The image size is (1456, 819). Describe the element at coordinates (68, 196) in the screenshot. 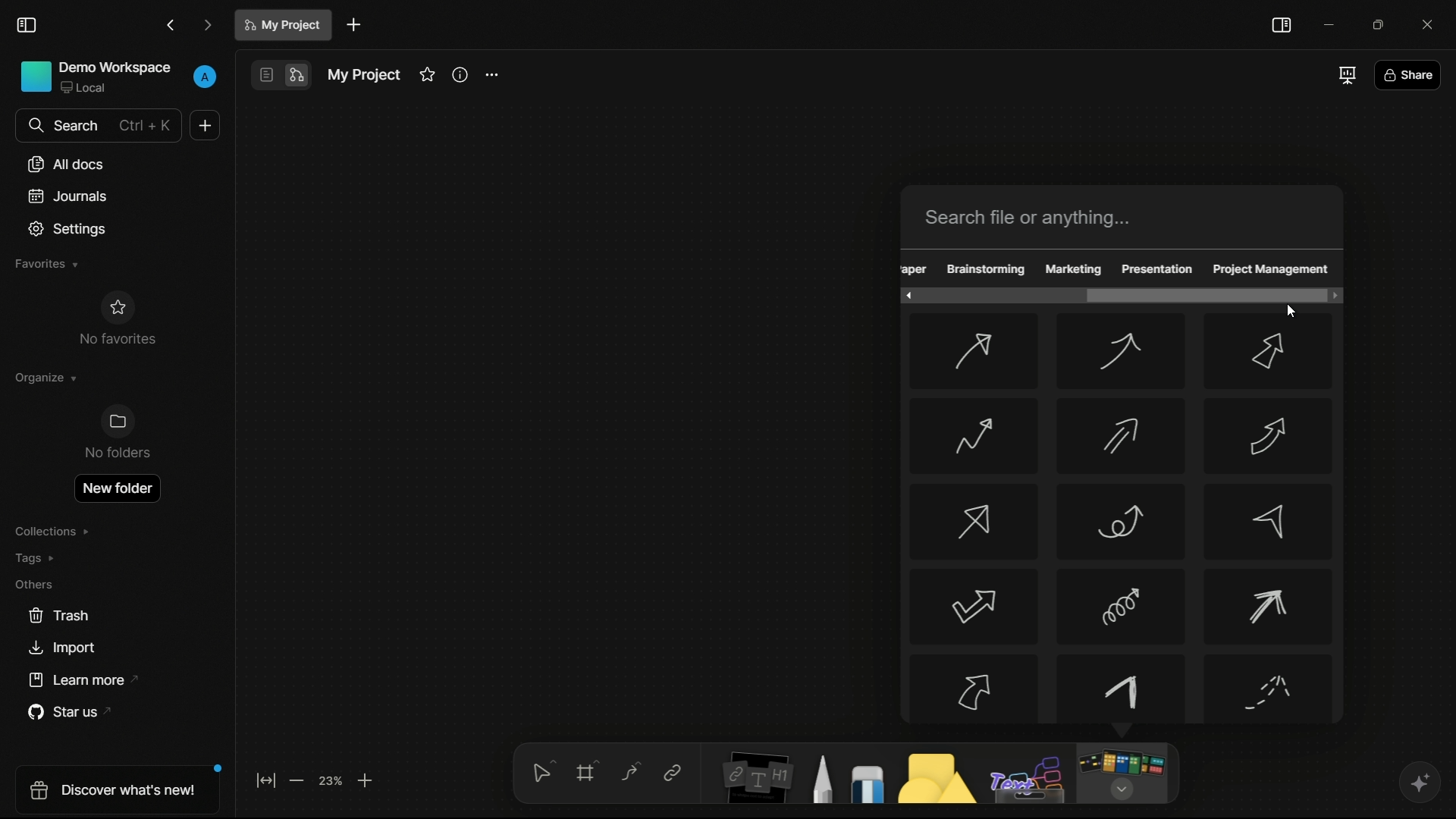

I see `journals` at that location.